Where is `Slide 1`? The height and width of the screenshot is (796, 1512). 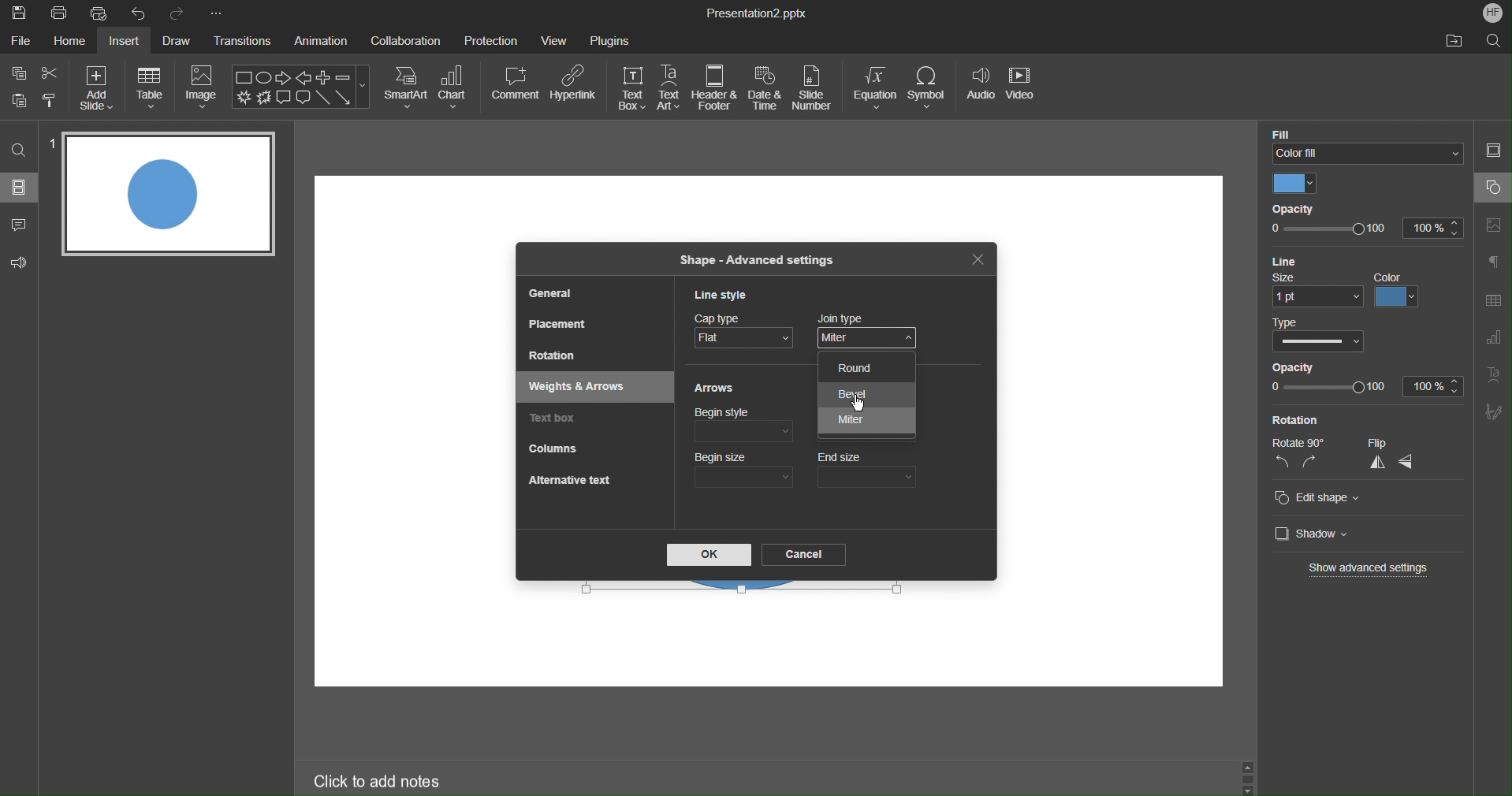 Slide 1 is located at coordinates (168, 194).